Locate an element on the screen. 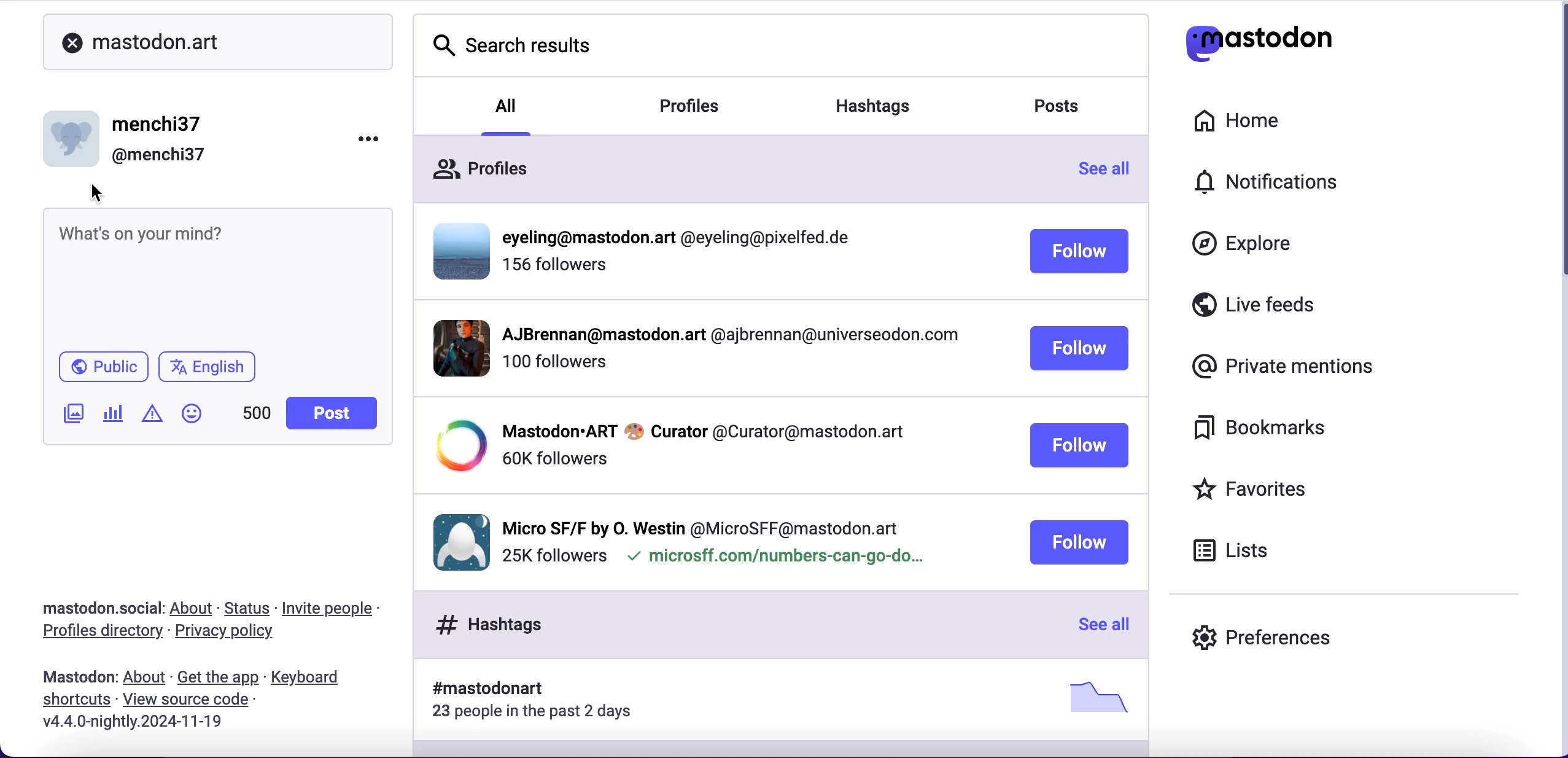 Image resolution: width=1568 pixels, height=758 pixels. user is located at coordinates (128, 137).